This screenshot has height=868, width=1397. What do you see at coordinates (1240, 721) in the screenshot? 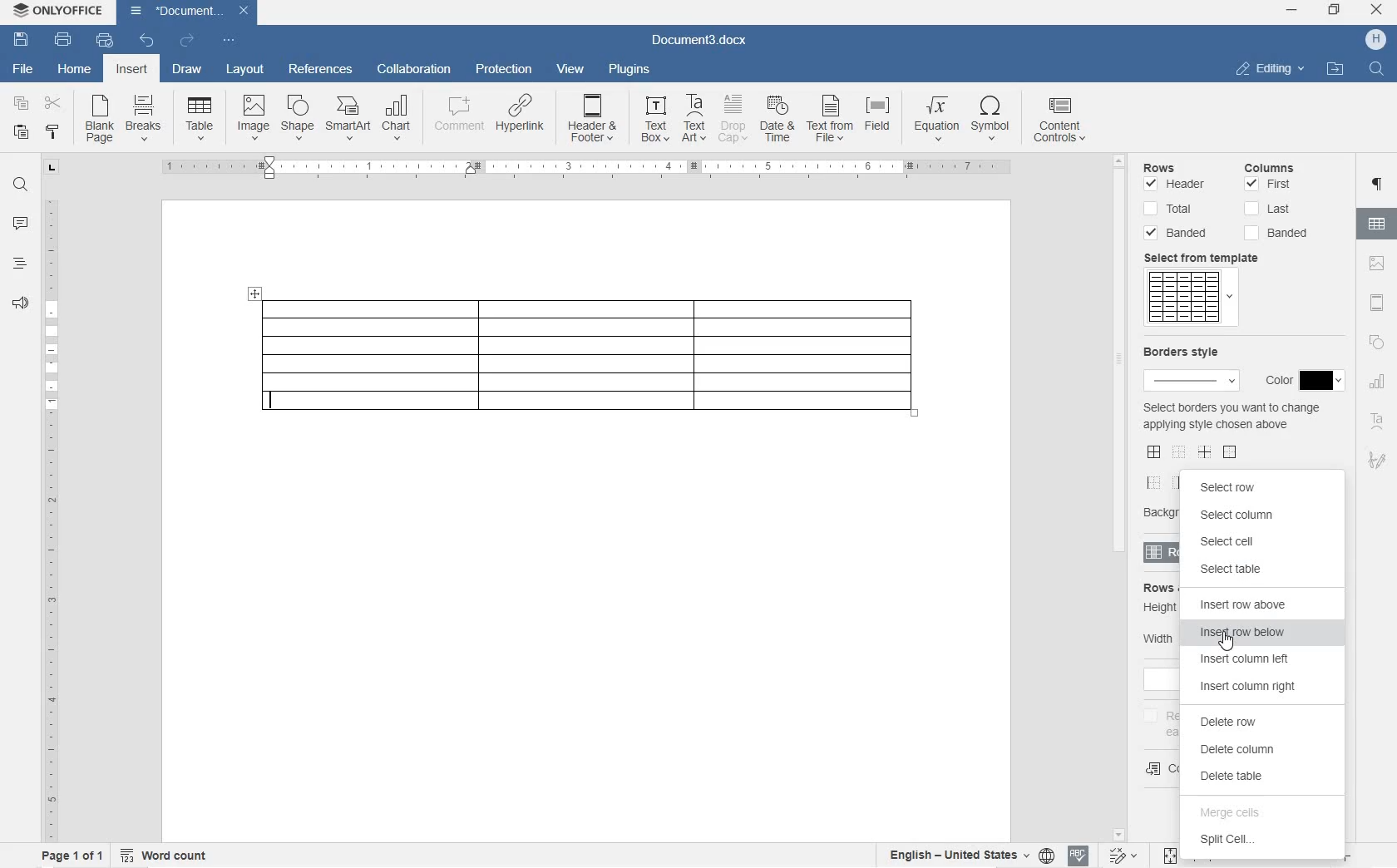
I see `delete row` at bounding box center [1240, 721].